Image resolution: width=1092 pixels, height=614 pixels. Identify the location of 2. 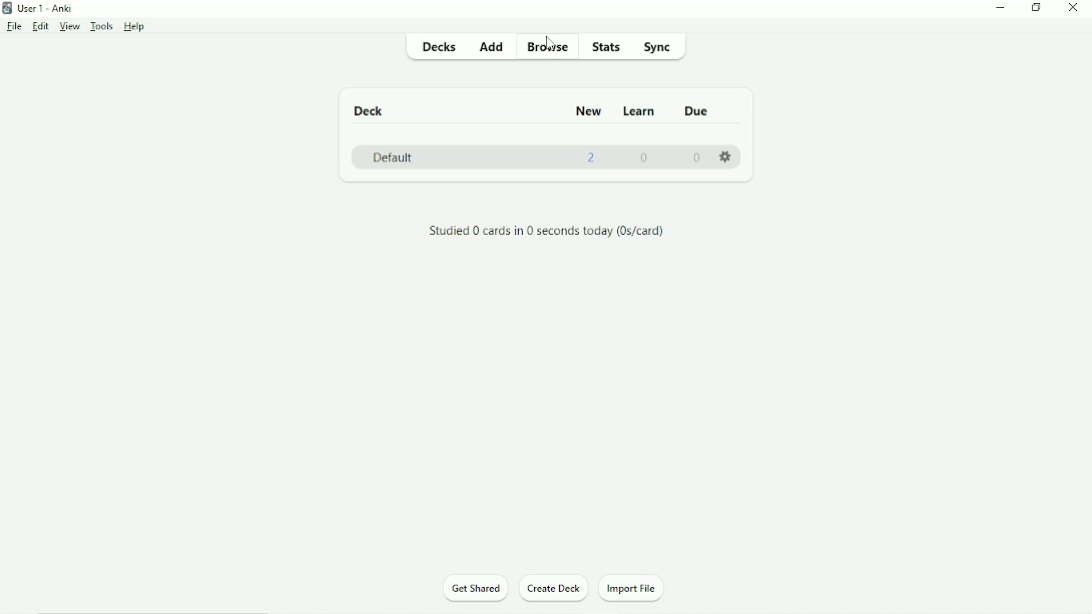
(591, 157).